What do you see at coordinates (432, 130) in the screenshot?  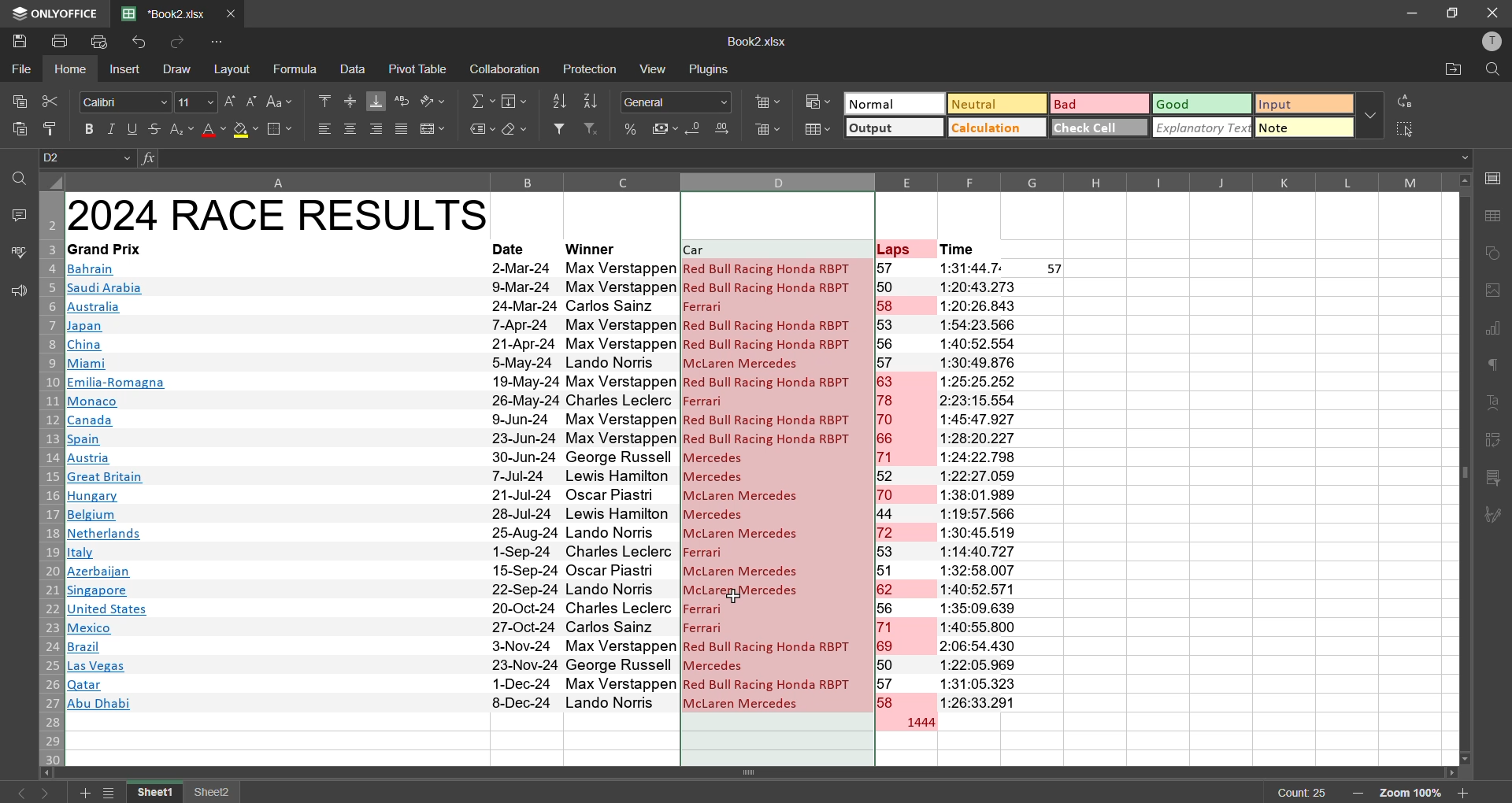 I see `merge and center` at bounding box center [432, 130].